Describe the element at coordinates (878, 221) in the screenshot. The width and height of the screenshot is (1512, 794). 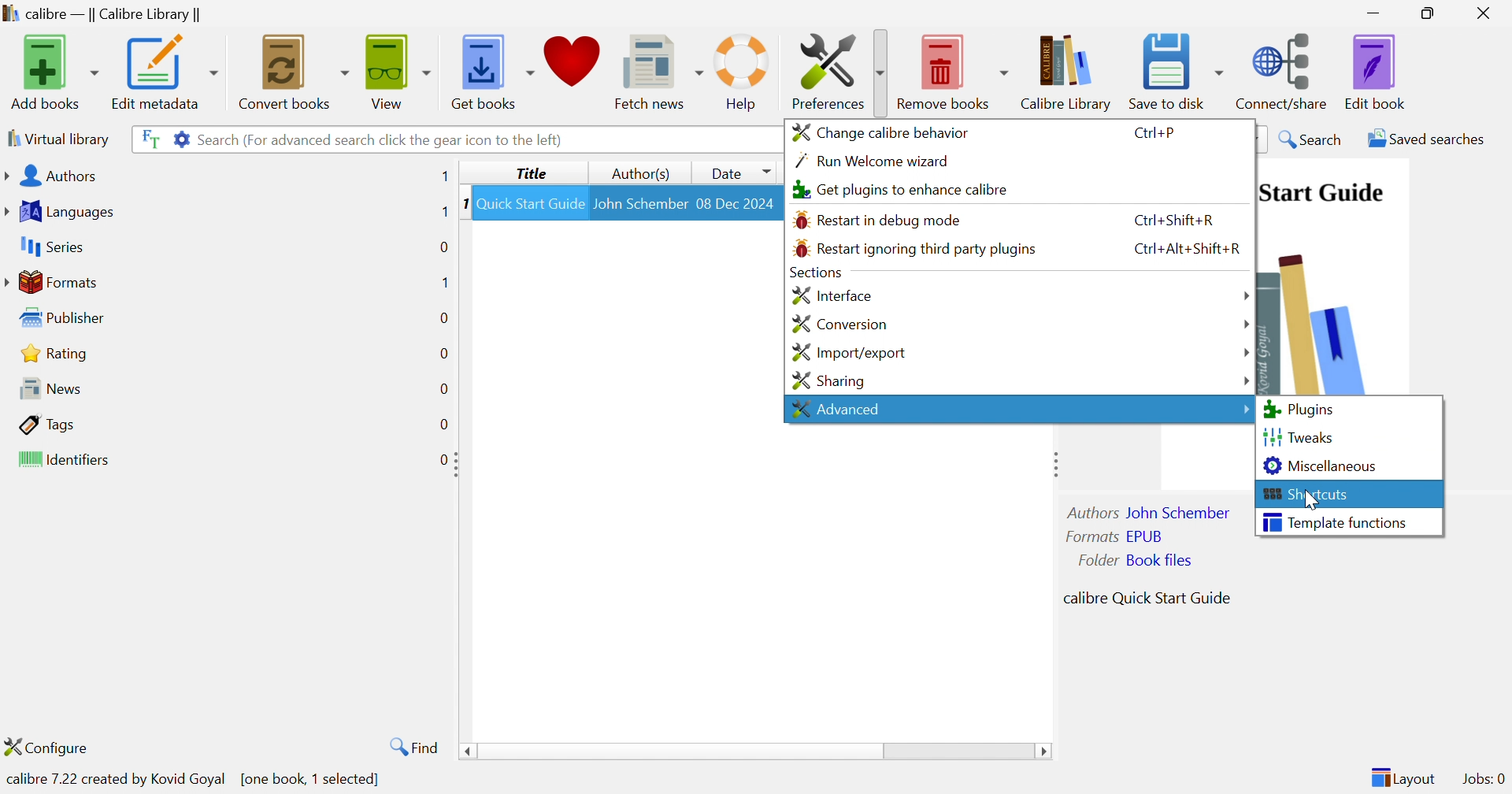
I see `Restart in debug mode` at that location.